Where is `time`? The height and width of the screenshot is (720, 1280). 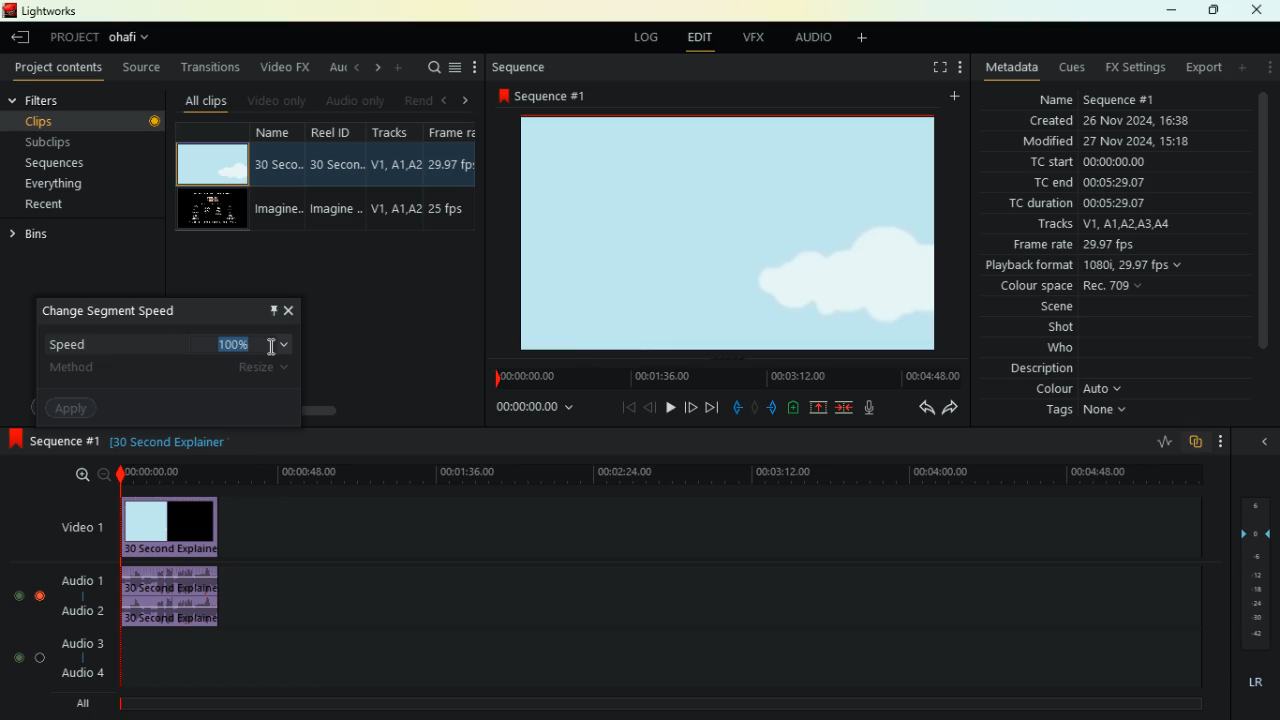 time is located at coordinates (664, 474).